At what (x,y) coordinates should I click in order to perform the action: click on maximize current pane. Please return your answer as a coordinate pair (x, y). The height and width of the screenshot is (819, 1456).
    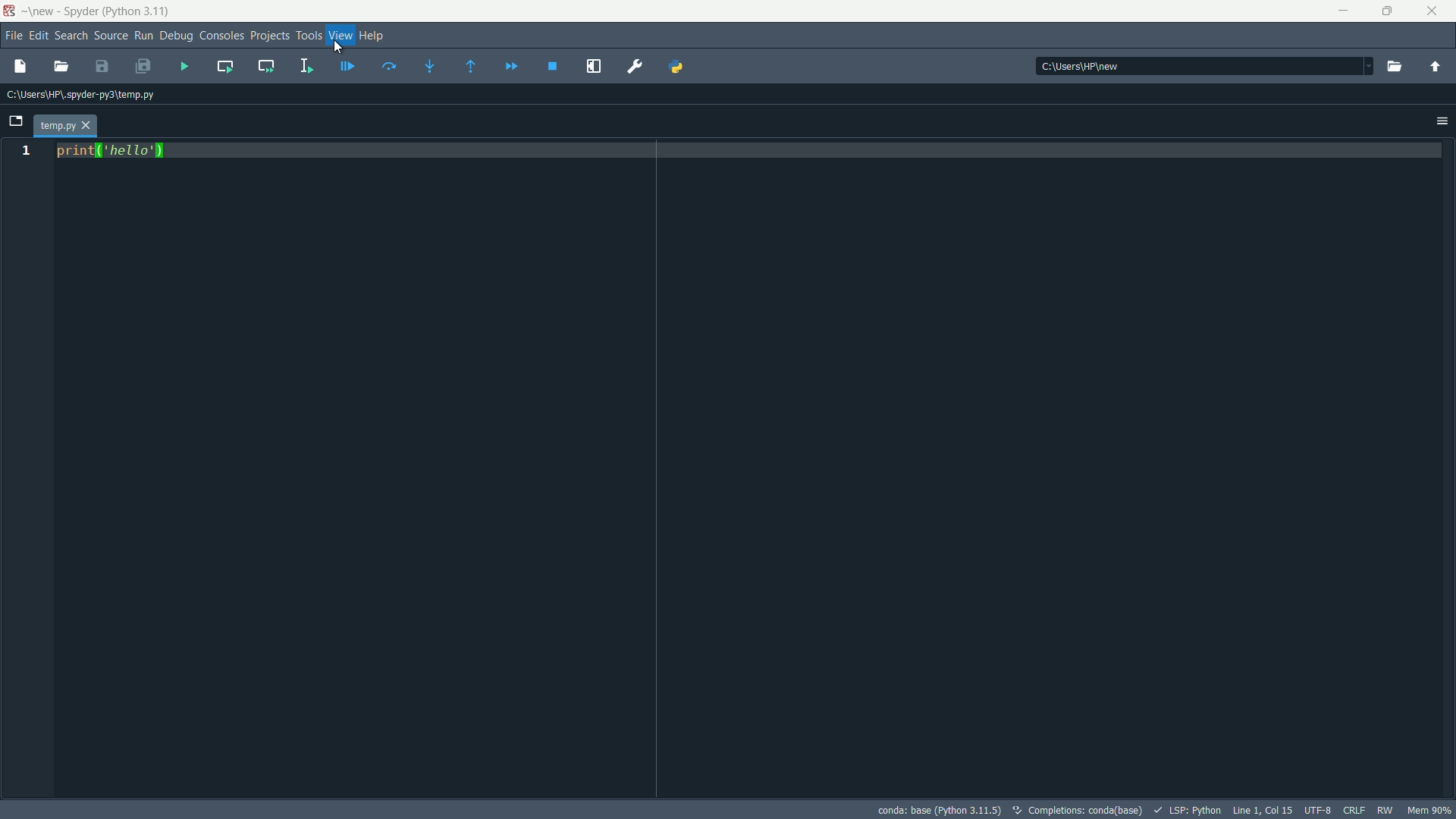
    Looking at the image, I should click on (594, 67).